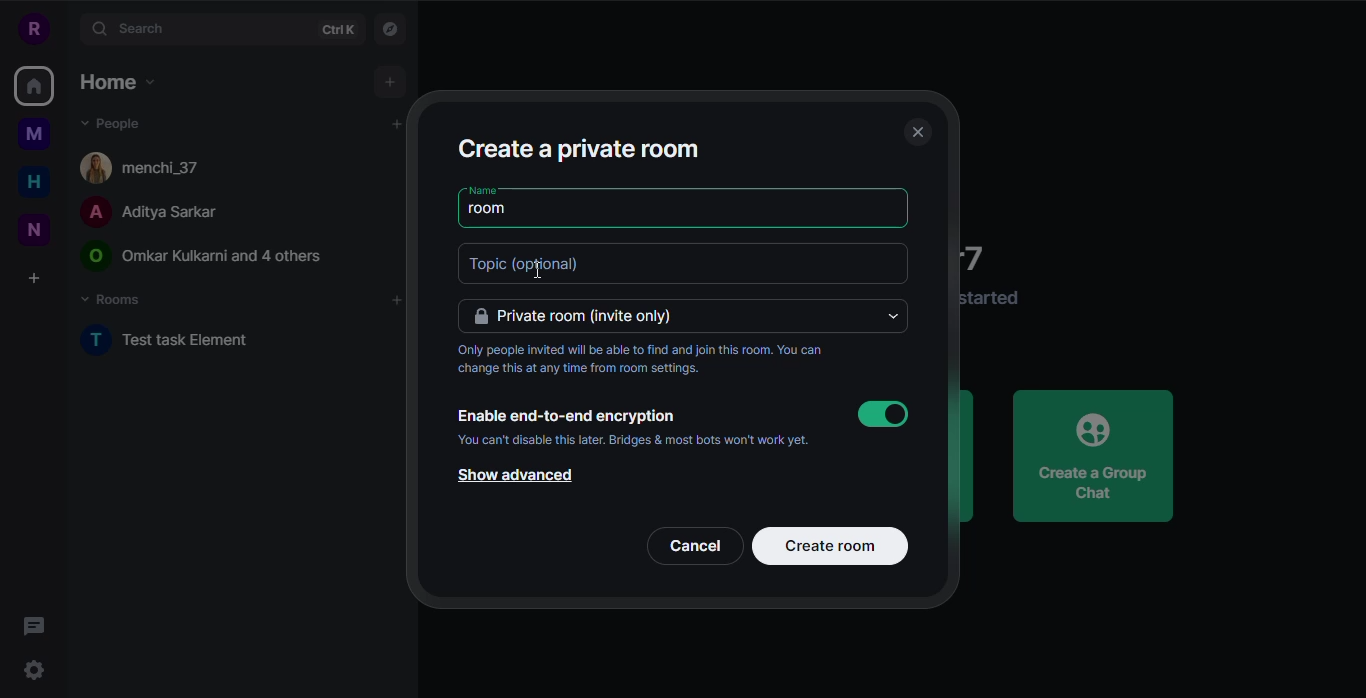 This screenshot has width=1366, height=698. Describe the element at coordinates (132, 28) in the screenshot. I see `search` at that location.